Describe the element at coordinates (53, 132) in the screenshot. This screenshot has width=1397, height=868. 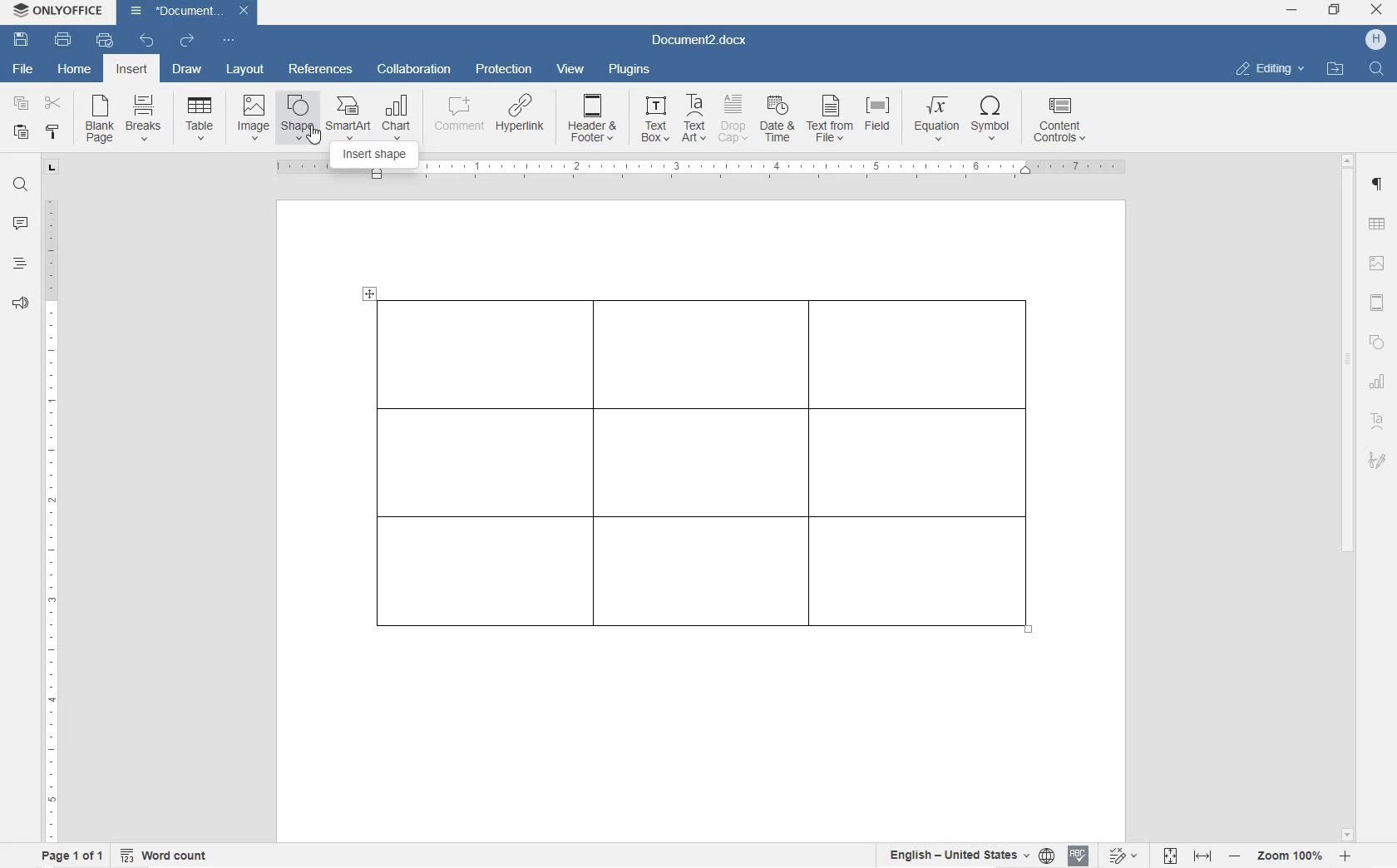
I see `copy style` at that location.